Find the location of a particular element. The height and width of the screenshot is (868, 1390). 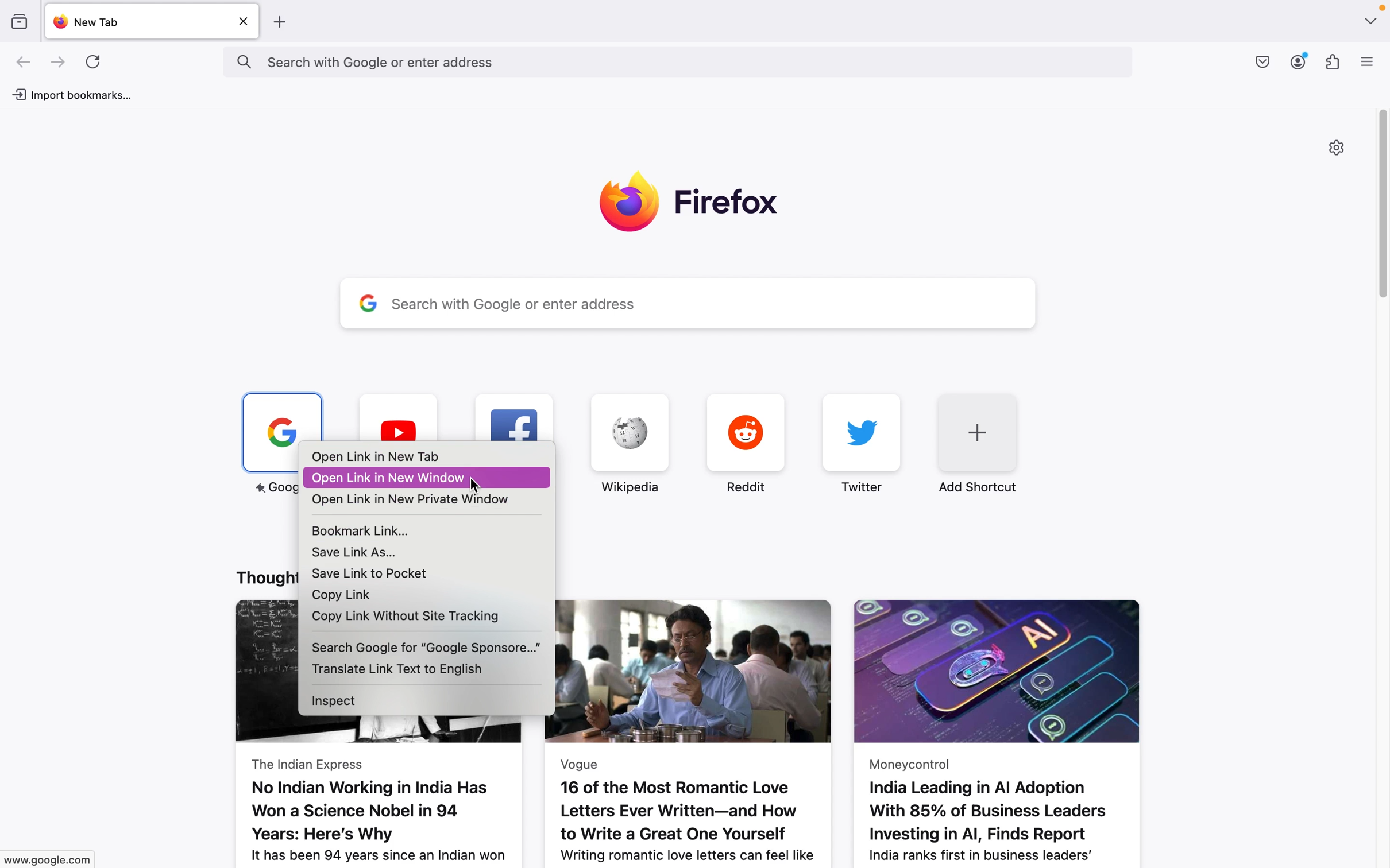

reddit is located at coordinates (735, 444).